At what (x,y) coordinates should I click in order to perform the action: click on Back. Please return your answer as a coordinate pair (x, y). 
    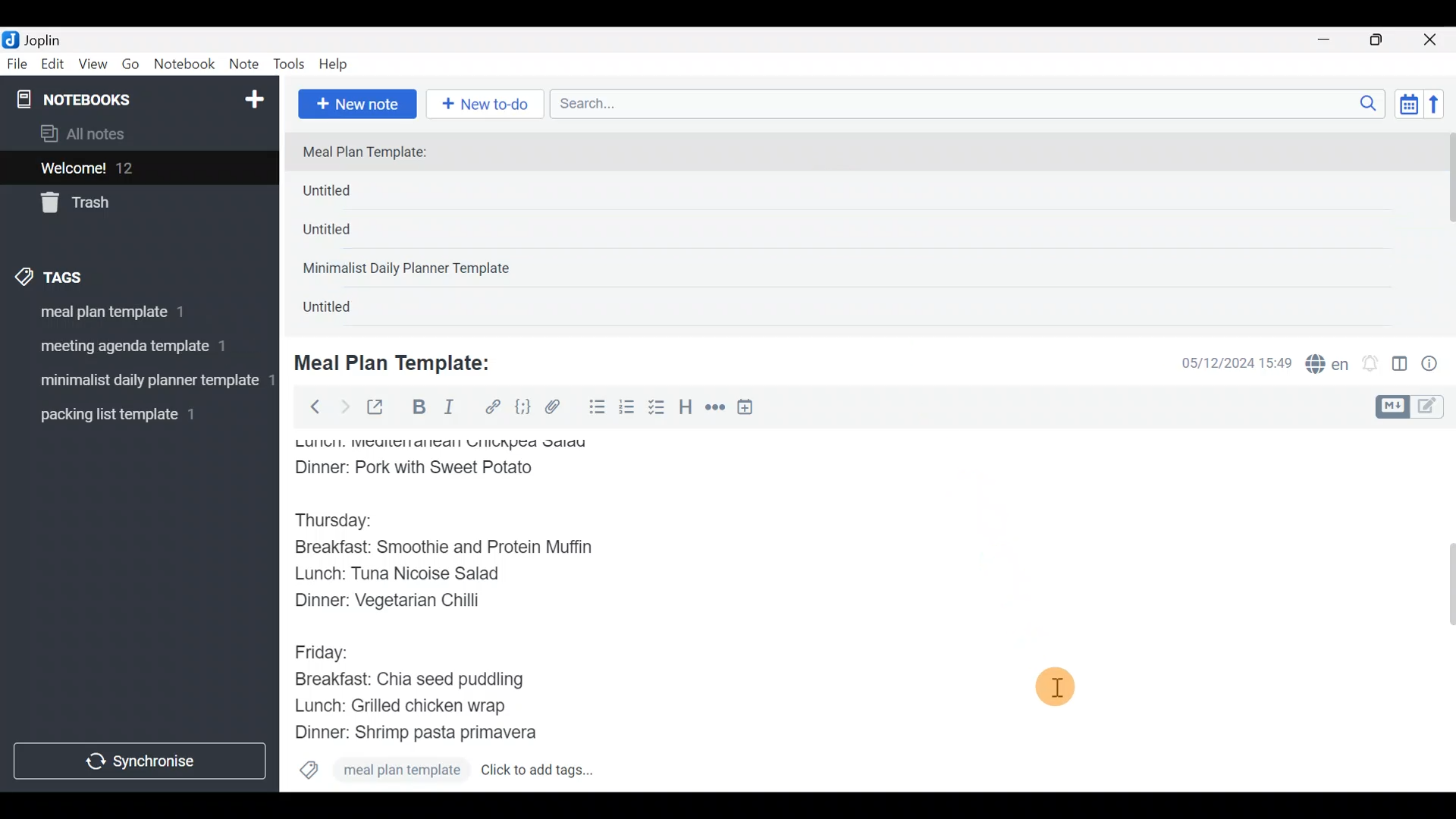
    Looking at the image, I should click on (309, 406).